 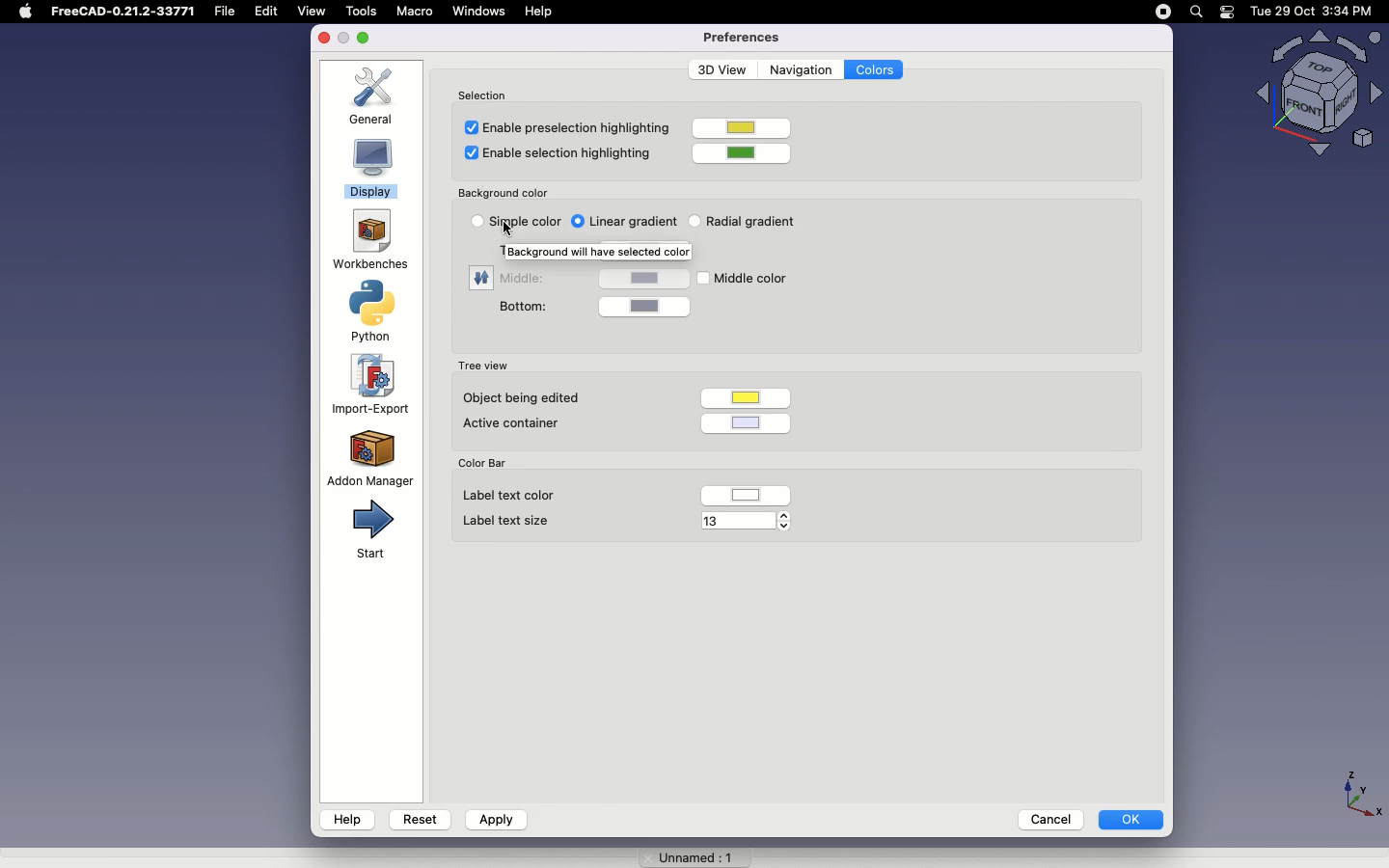 I want to click on Active container, so click(x=517, y=422).